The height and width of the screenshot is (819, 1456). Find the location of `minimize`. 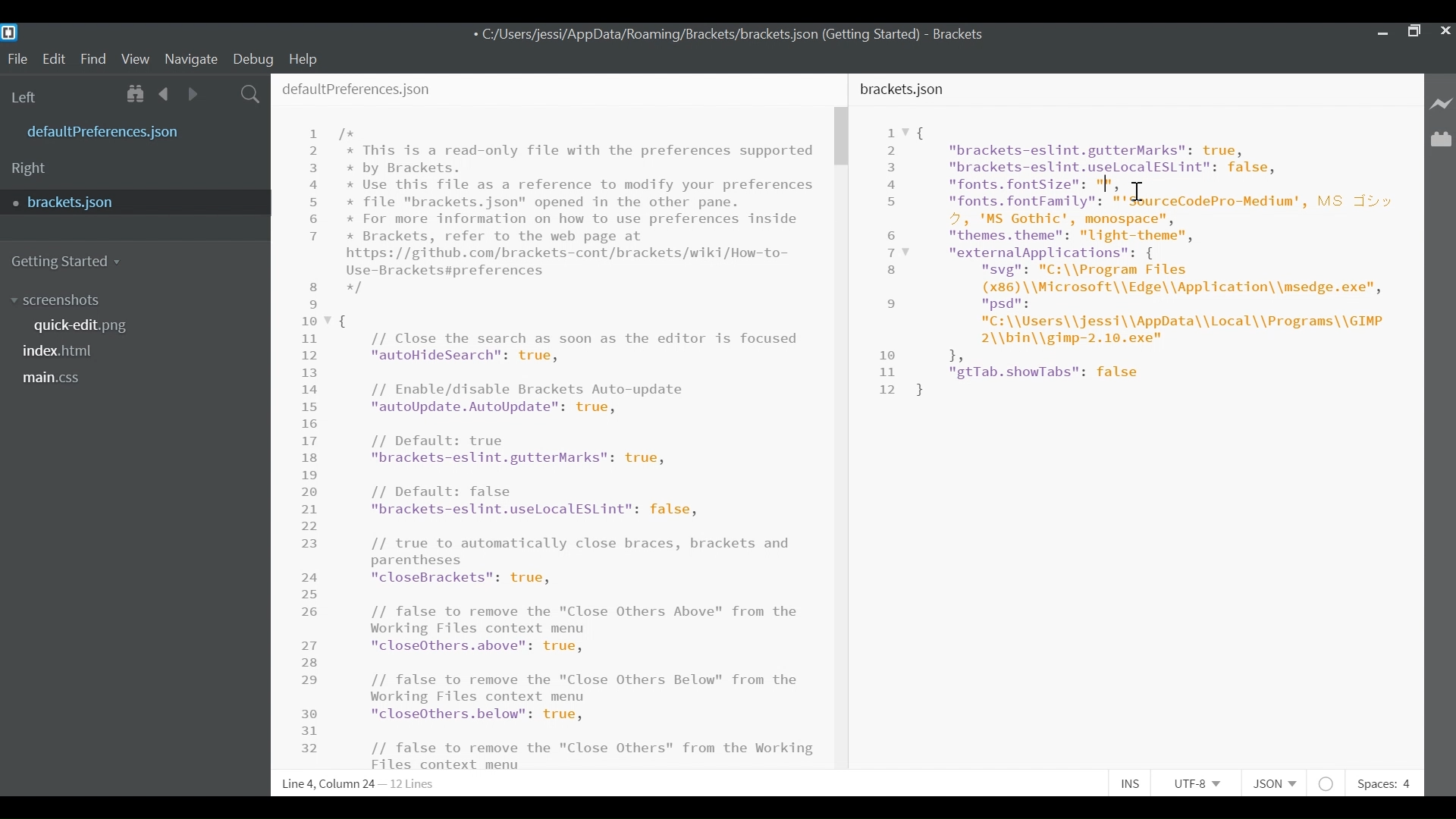

minimize is located at coordinates (1381, 32).